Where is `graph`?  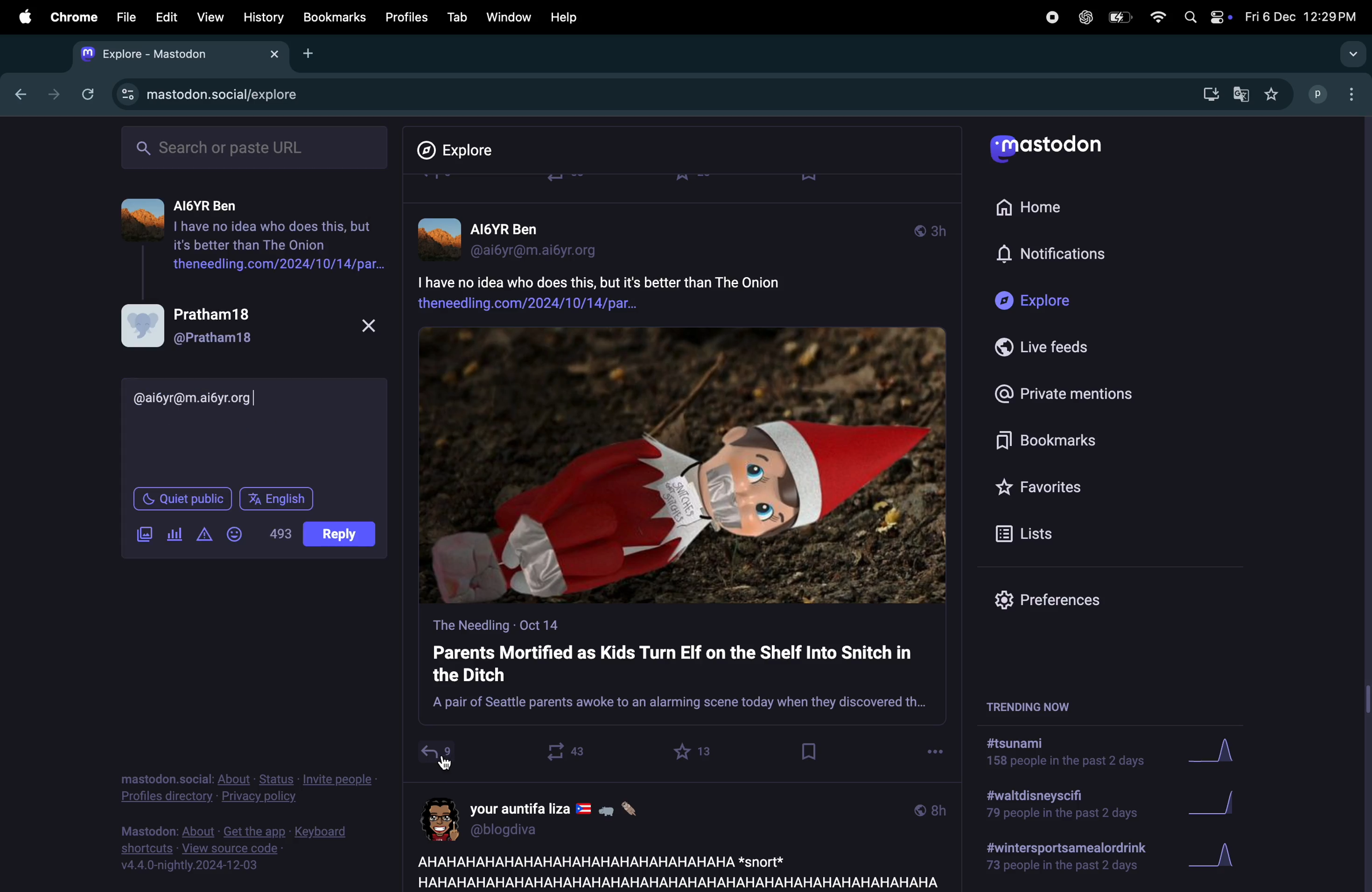 graph is located at coordinates (1222, 753).